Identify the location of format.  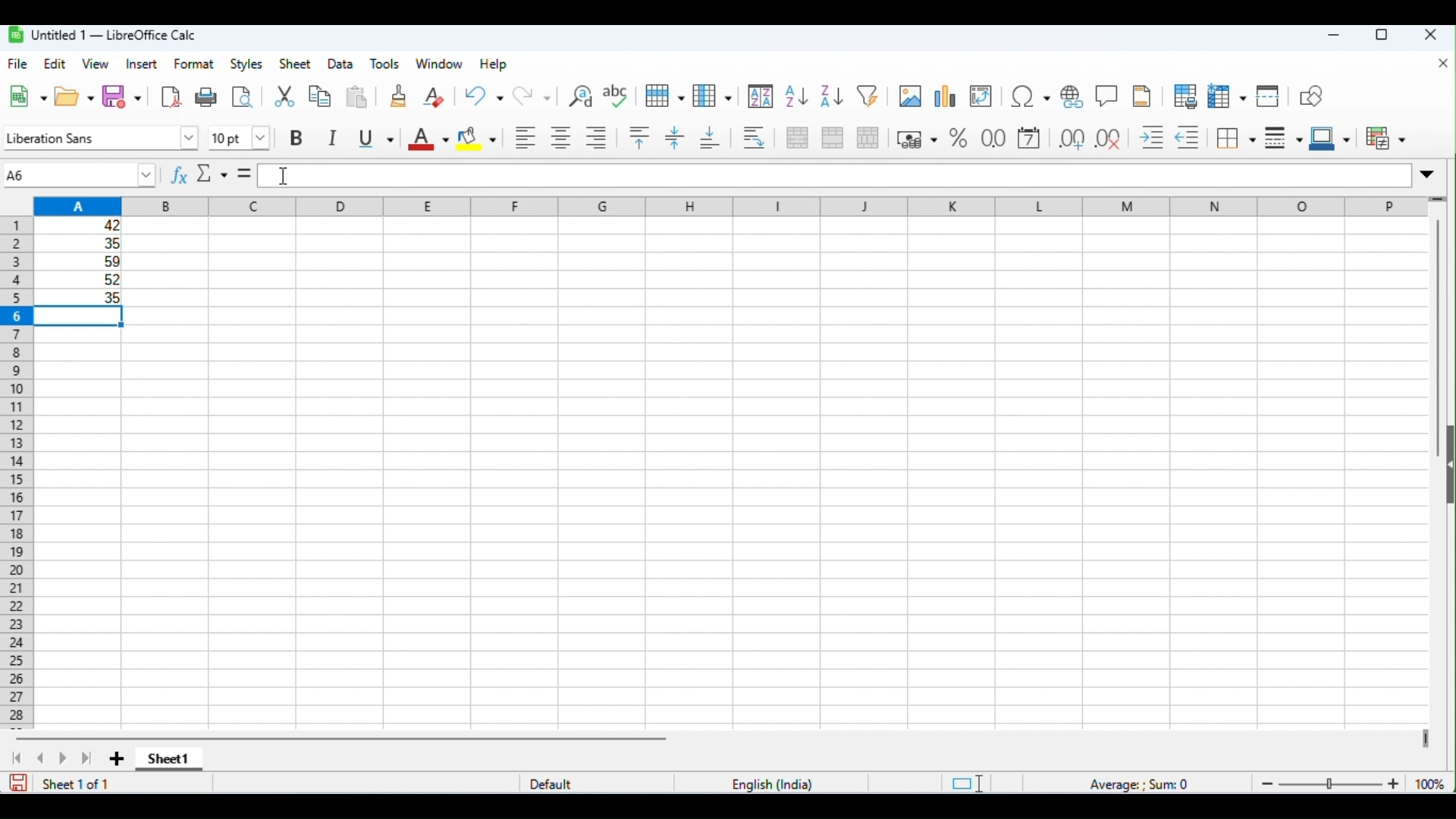
(194, 64).